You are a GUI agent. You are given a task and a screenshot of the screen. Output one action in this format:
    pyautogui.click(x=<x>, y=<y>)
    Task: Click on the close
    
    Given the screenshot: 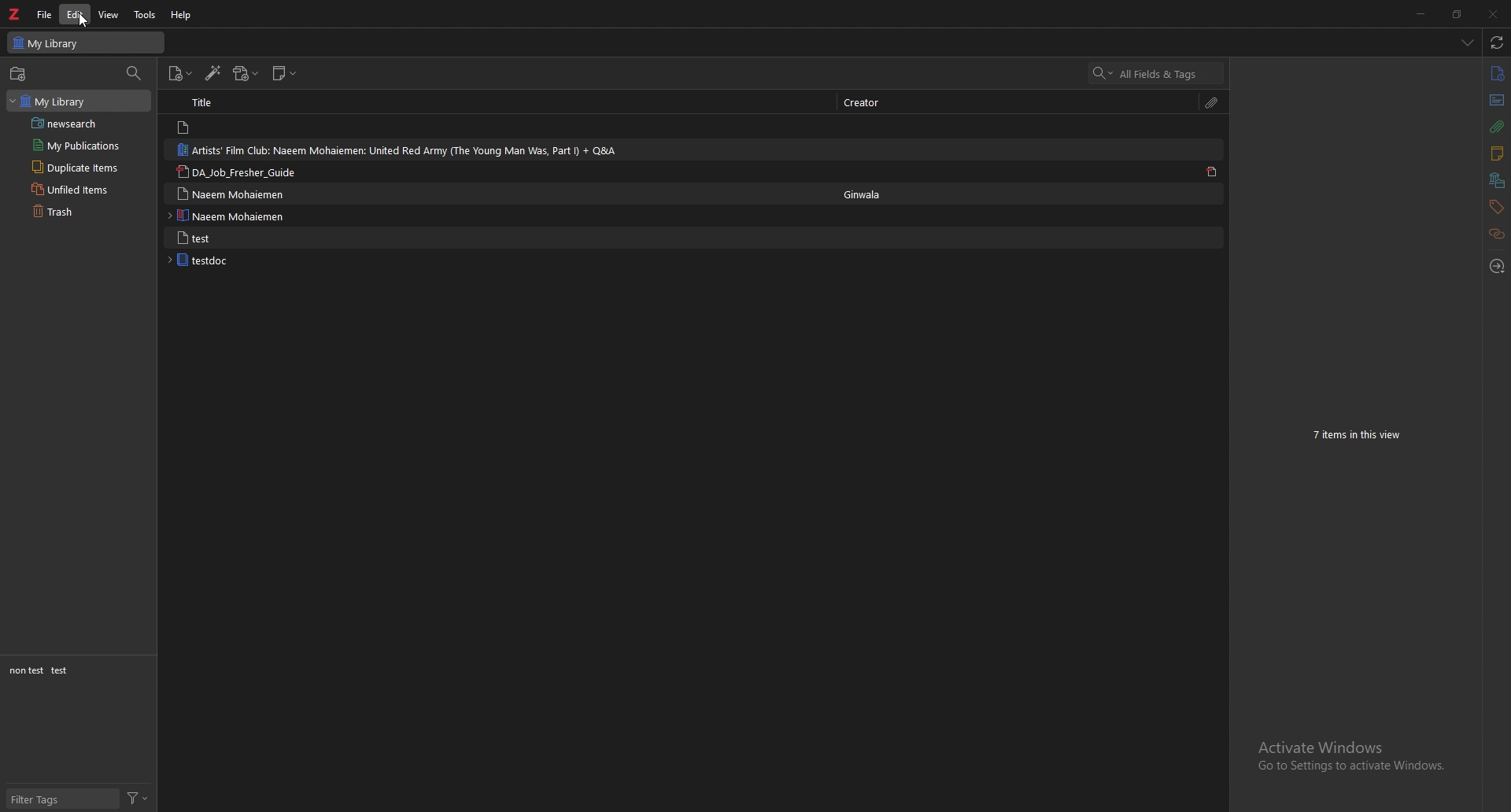 What is the action you would take?
    pyautogui.click(x=1492, y=14)
    